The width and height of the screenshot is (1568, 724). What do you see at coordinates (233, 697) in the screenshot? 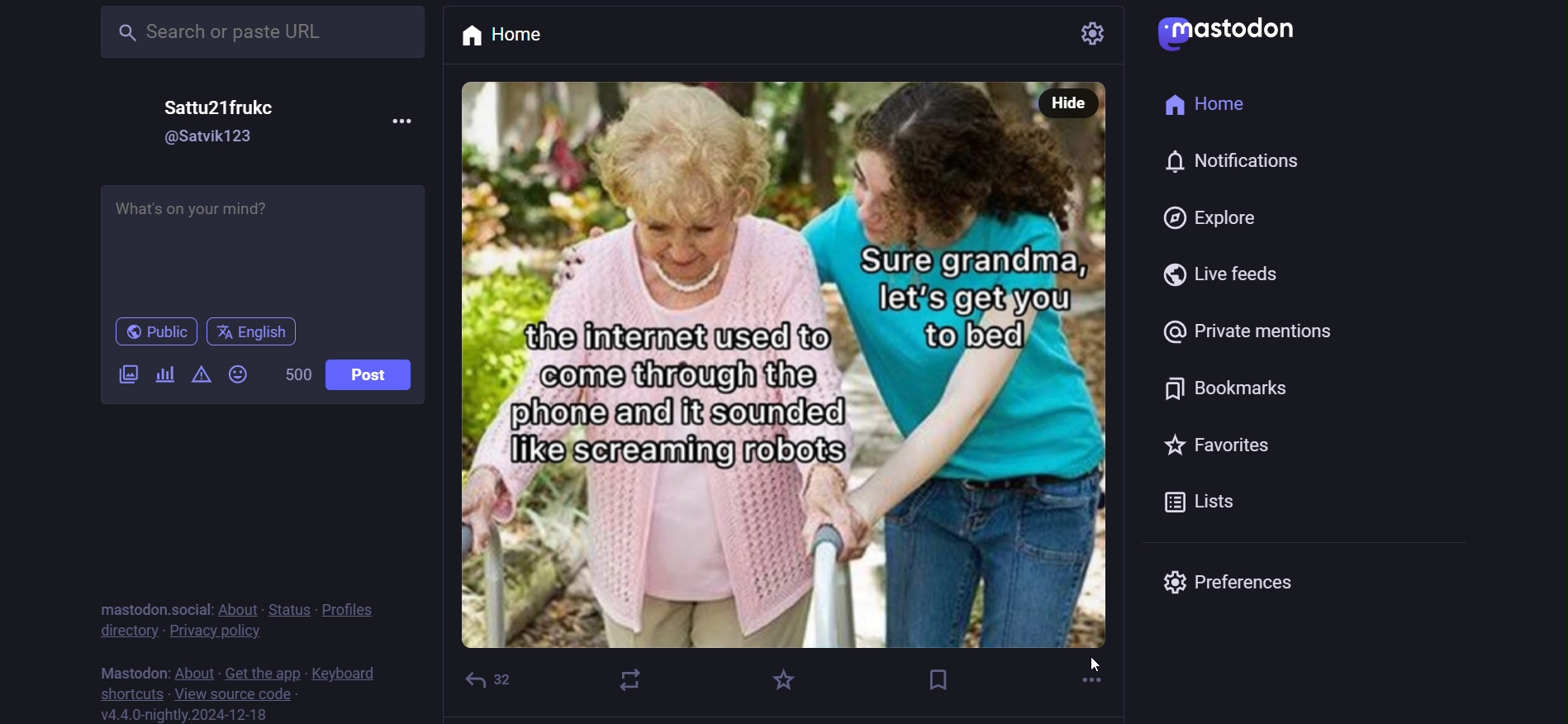
I see `source code` at bounding box center [233, 697].